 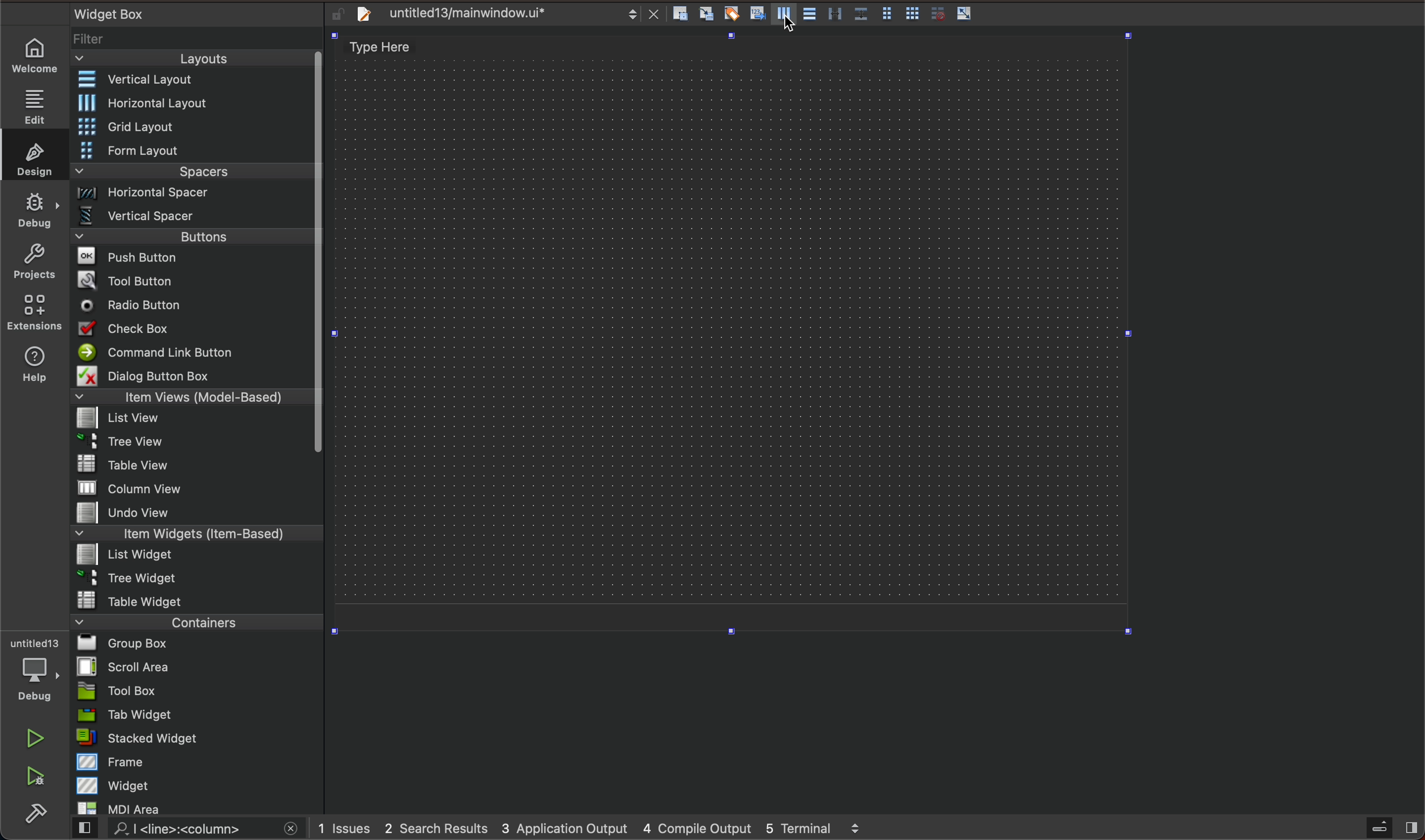 I want to click on radio button, so click(x=191, y=304).